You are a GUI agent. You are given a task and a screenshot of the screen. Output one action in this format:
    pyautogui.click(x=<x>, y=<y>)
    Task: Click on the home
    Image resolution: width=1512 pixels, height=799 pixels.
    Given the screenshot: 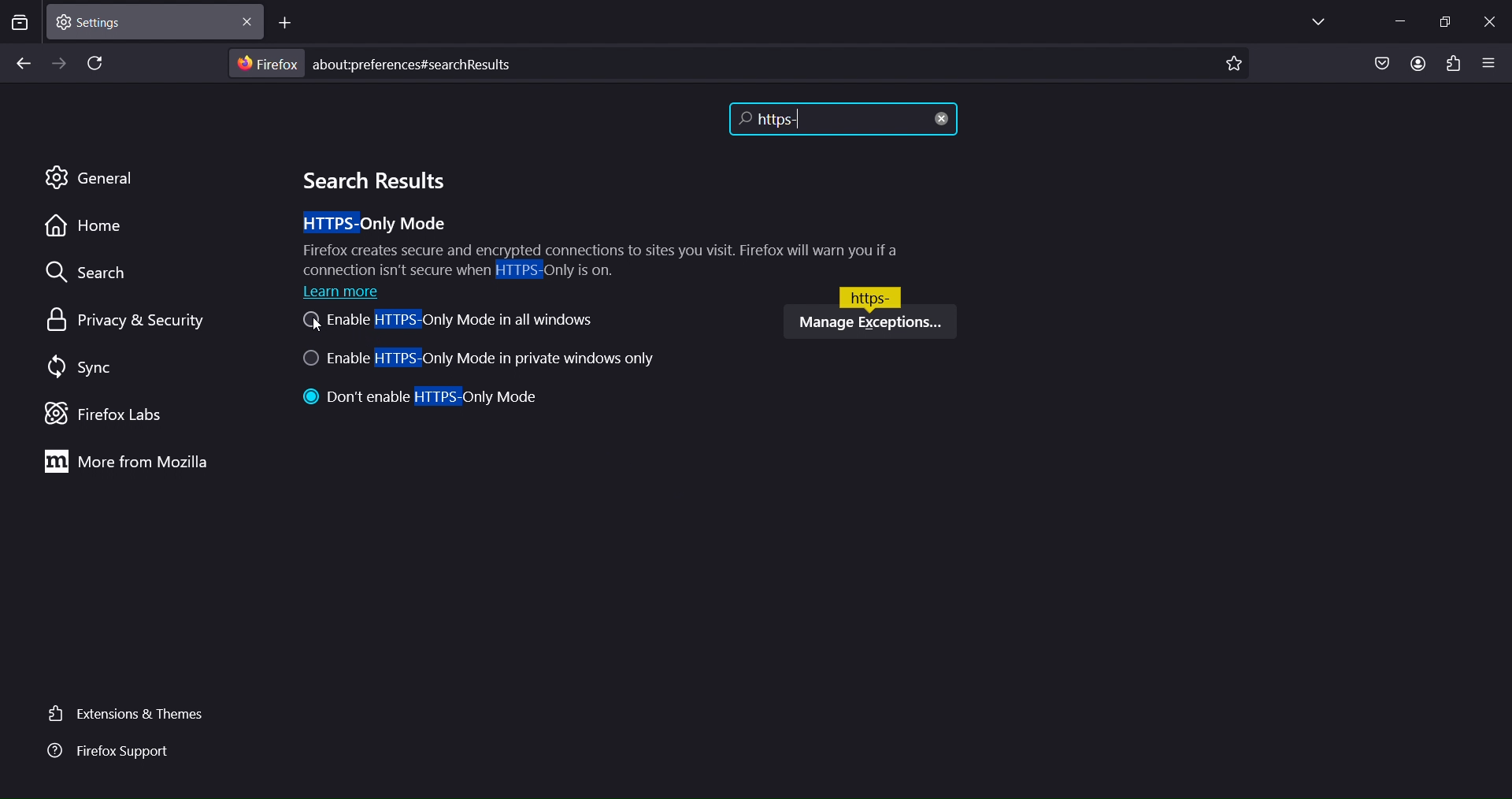 What is the action you would take?
    pyautogui.click(x=87, y=231)
    